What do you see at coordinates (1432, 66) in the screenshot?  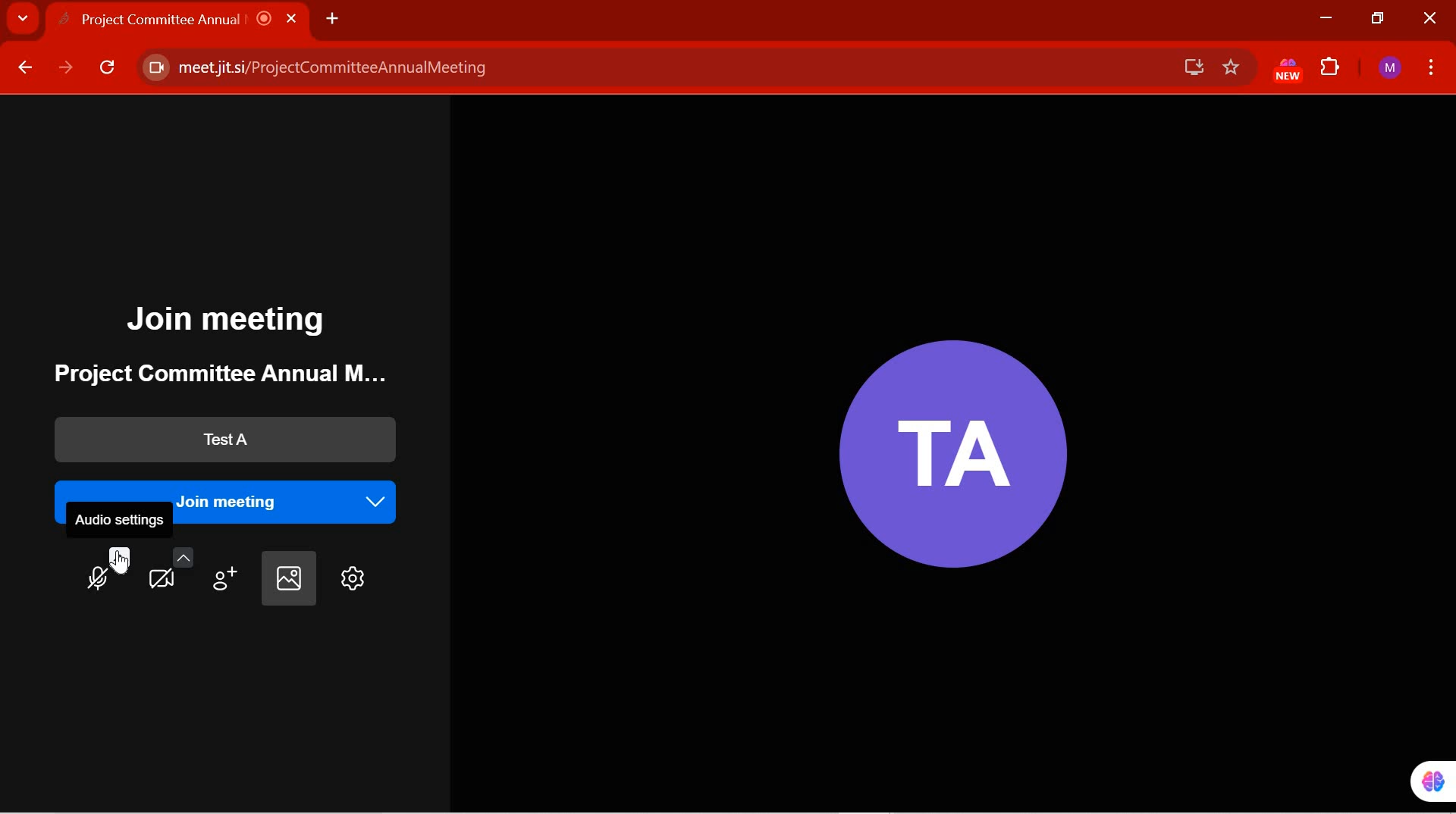 I see `CUSTOMIZE GOOGLE CHROME` at bounding box center [1432, 66].